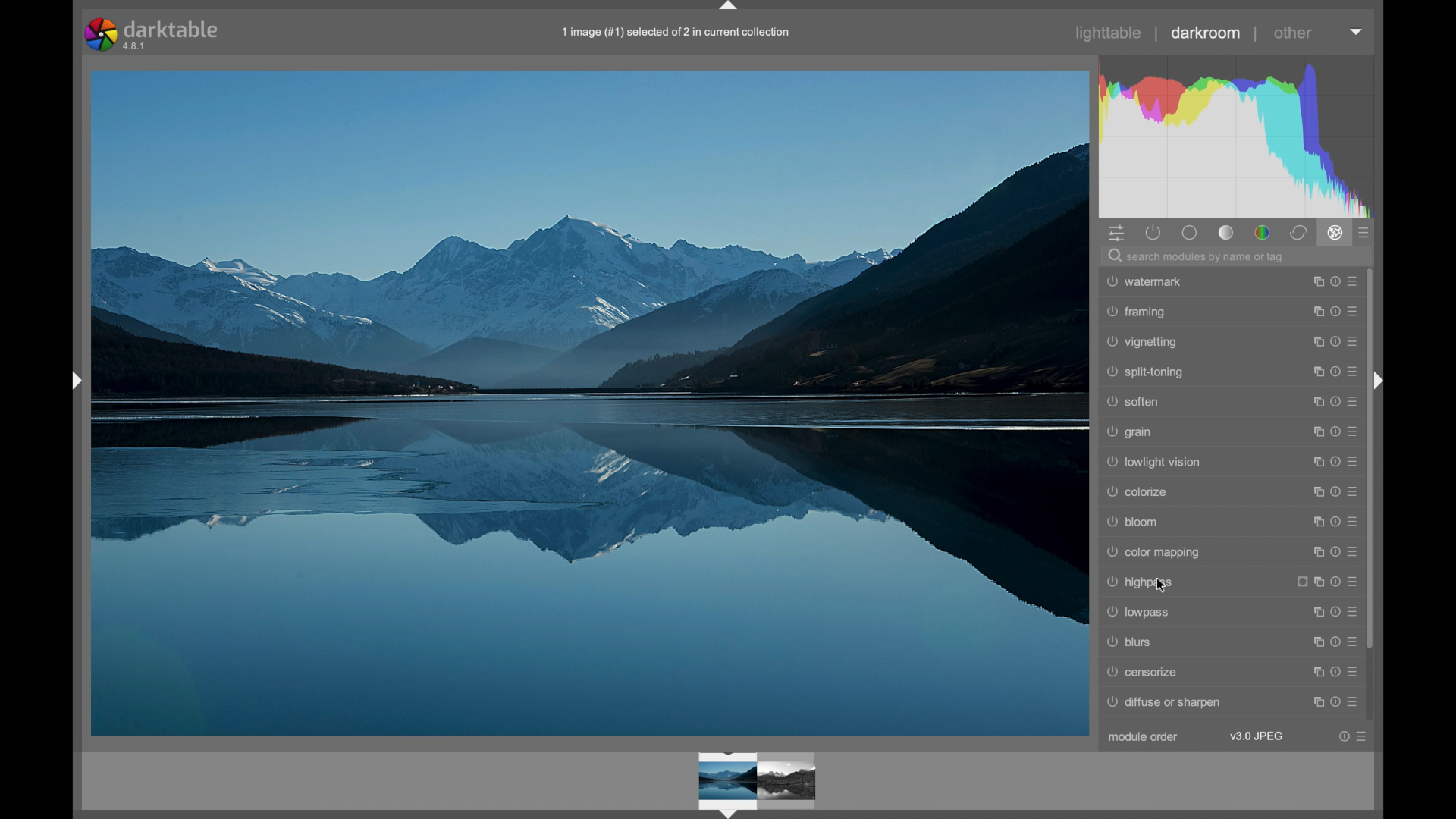  Describe the element at coordinates (1364, 234) in the screenshot. I see `presets` at that location.